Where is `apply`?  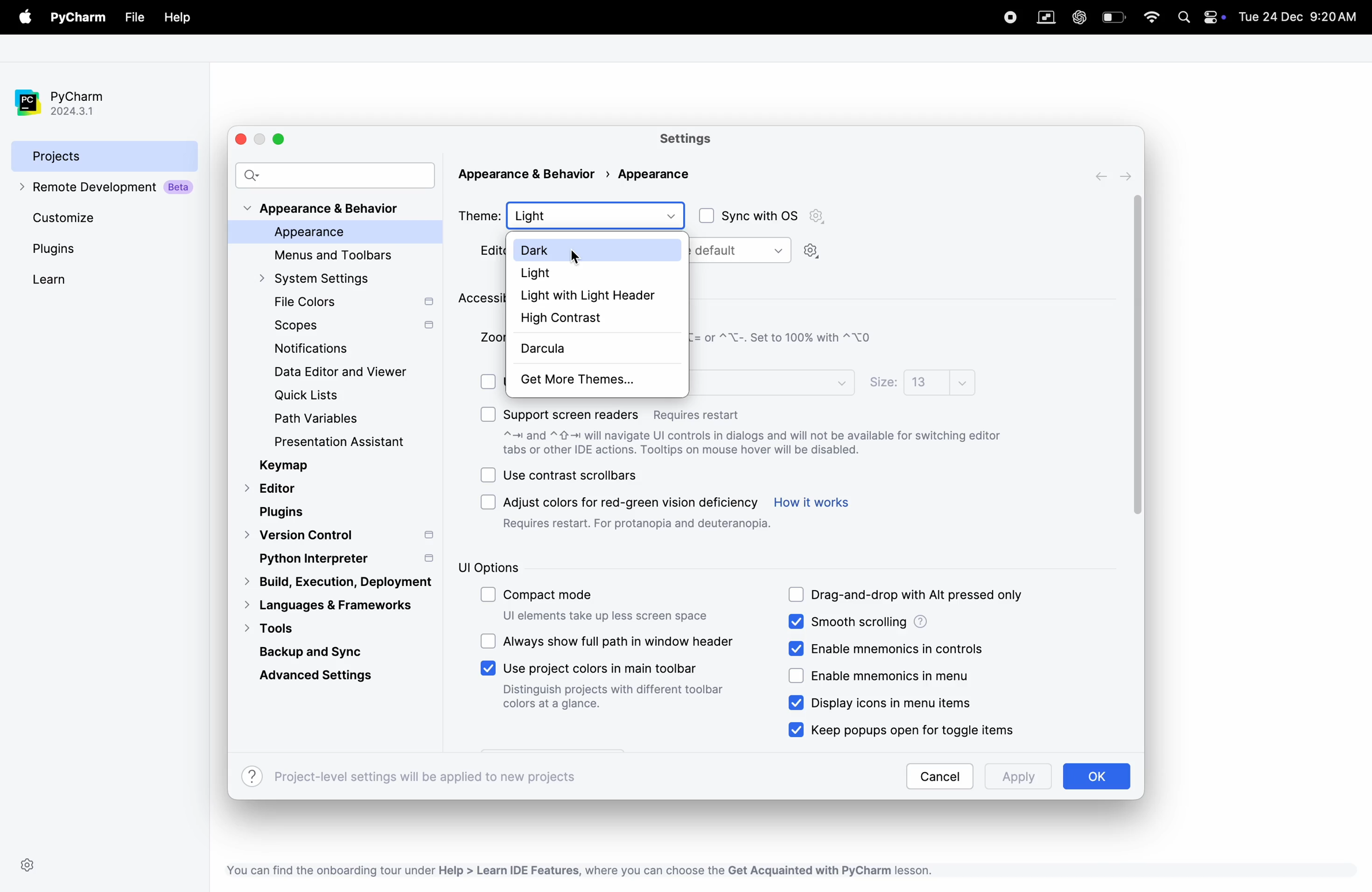
apply is located at coordinates (1014, 778).